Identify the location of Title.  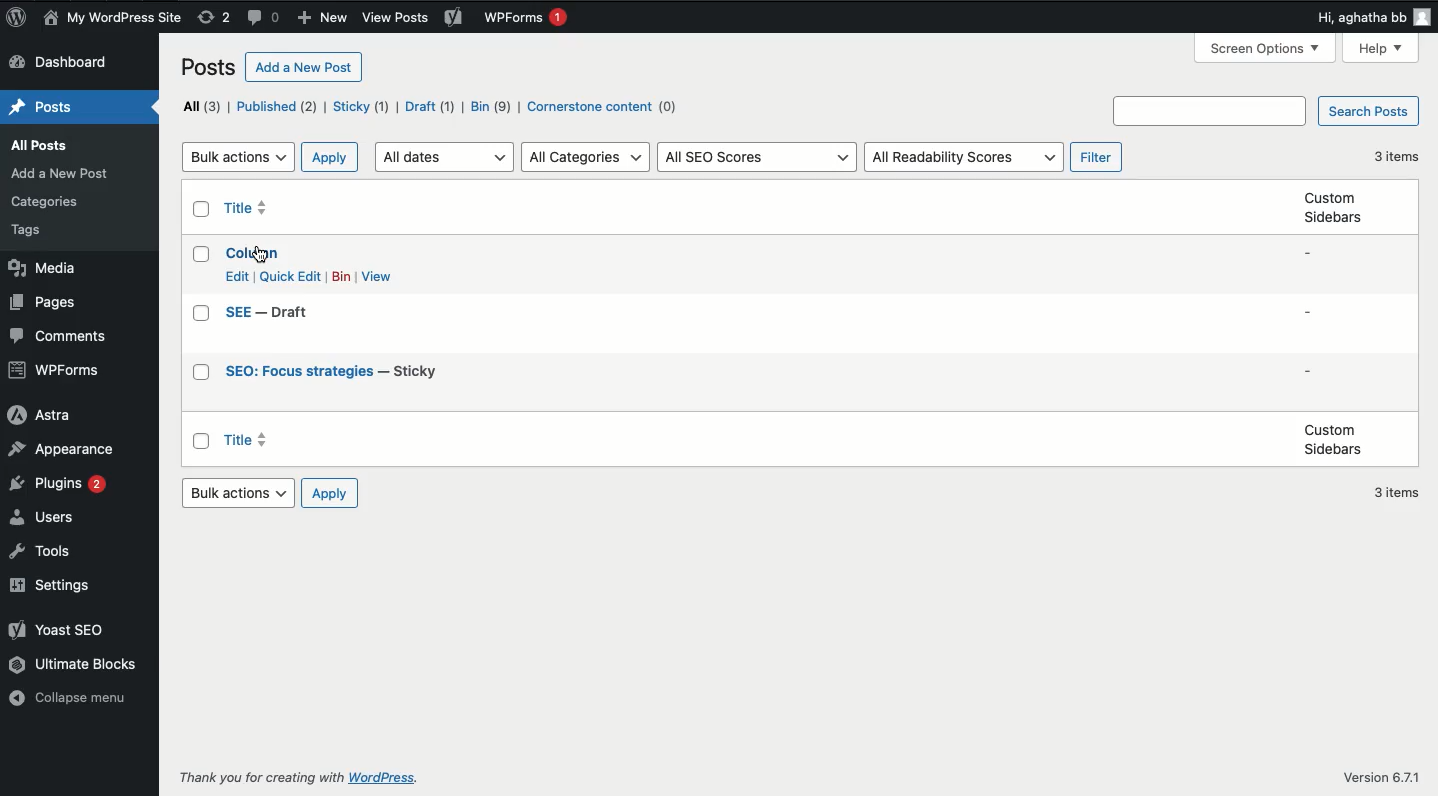
(330, 372).